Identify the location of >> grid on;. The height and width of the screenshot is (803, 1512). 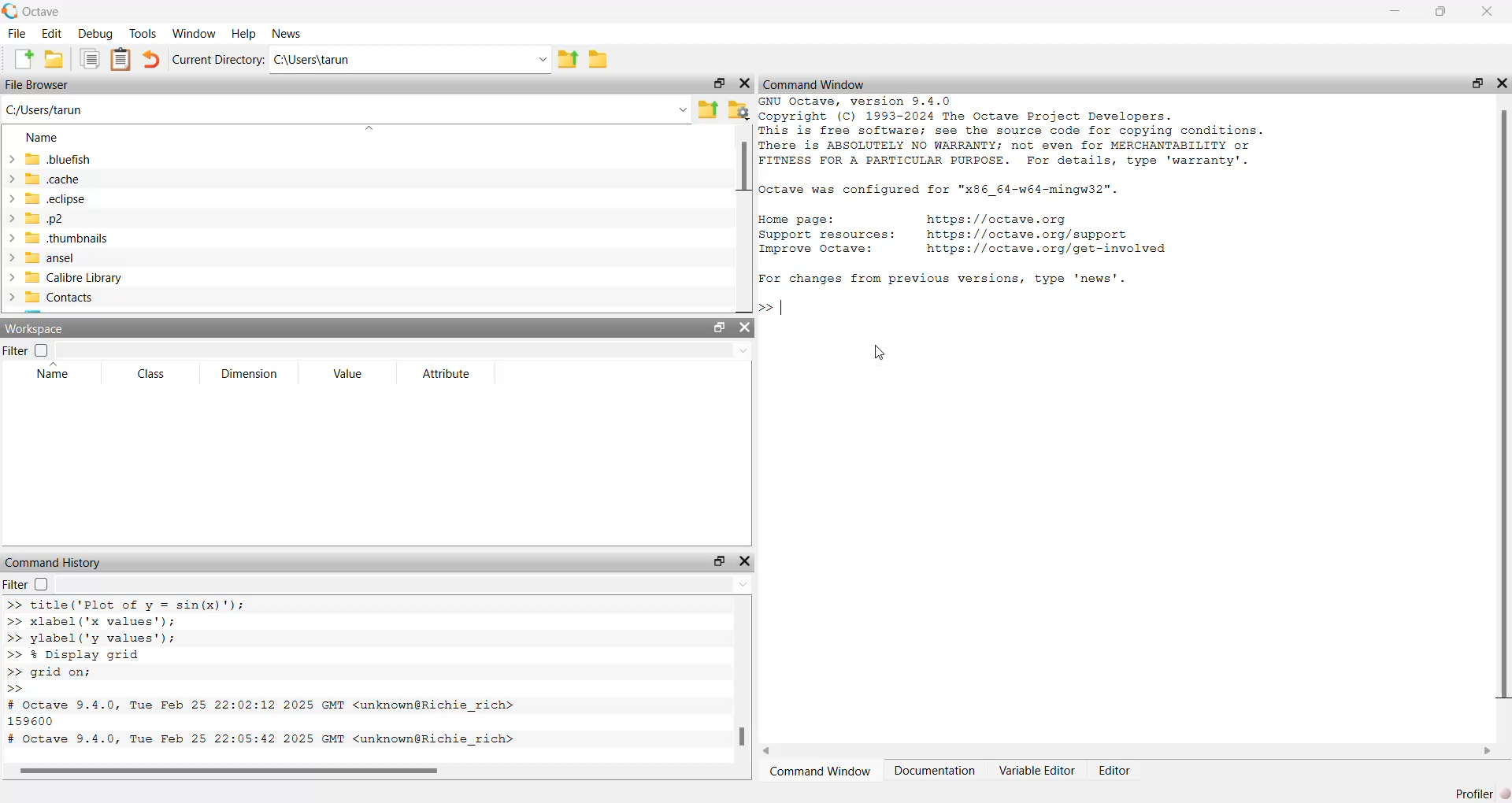
(49, 673).